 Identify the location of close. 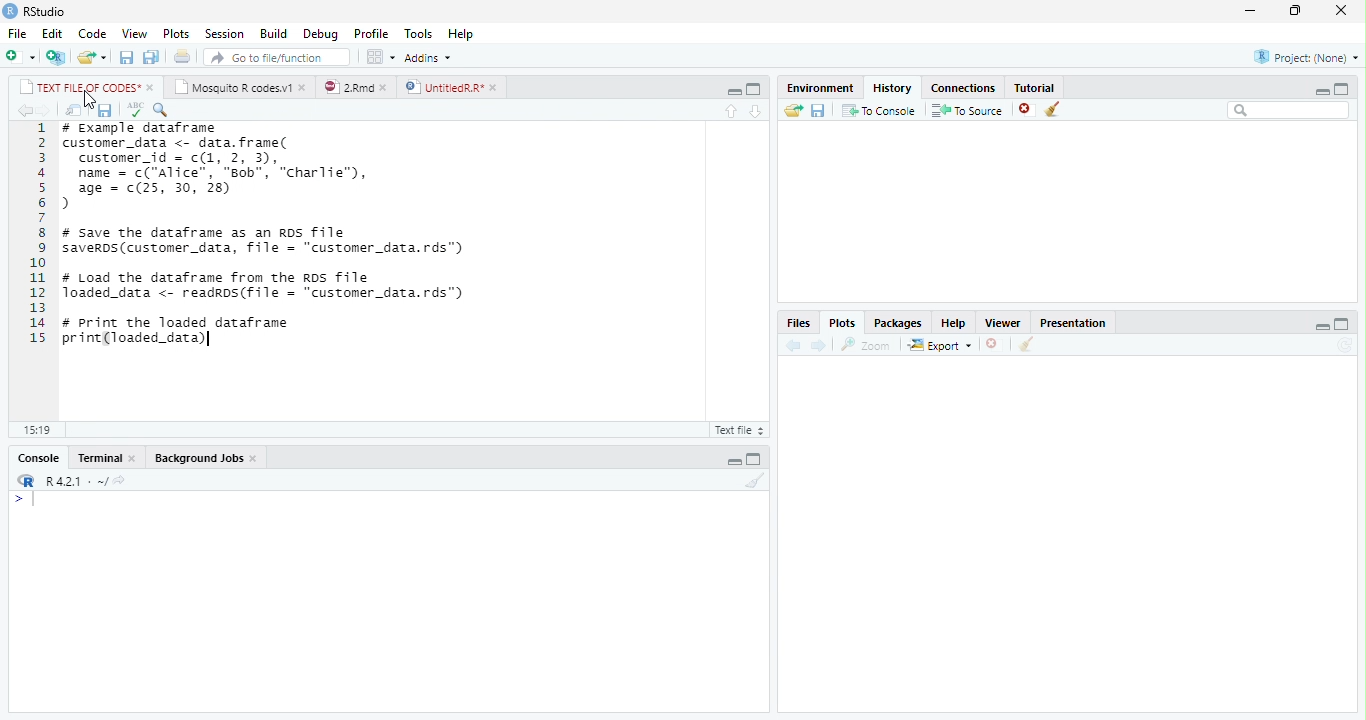
(496, 87).